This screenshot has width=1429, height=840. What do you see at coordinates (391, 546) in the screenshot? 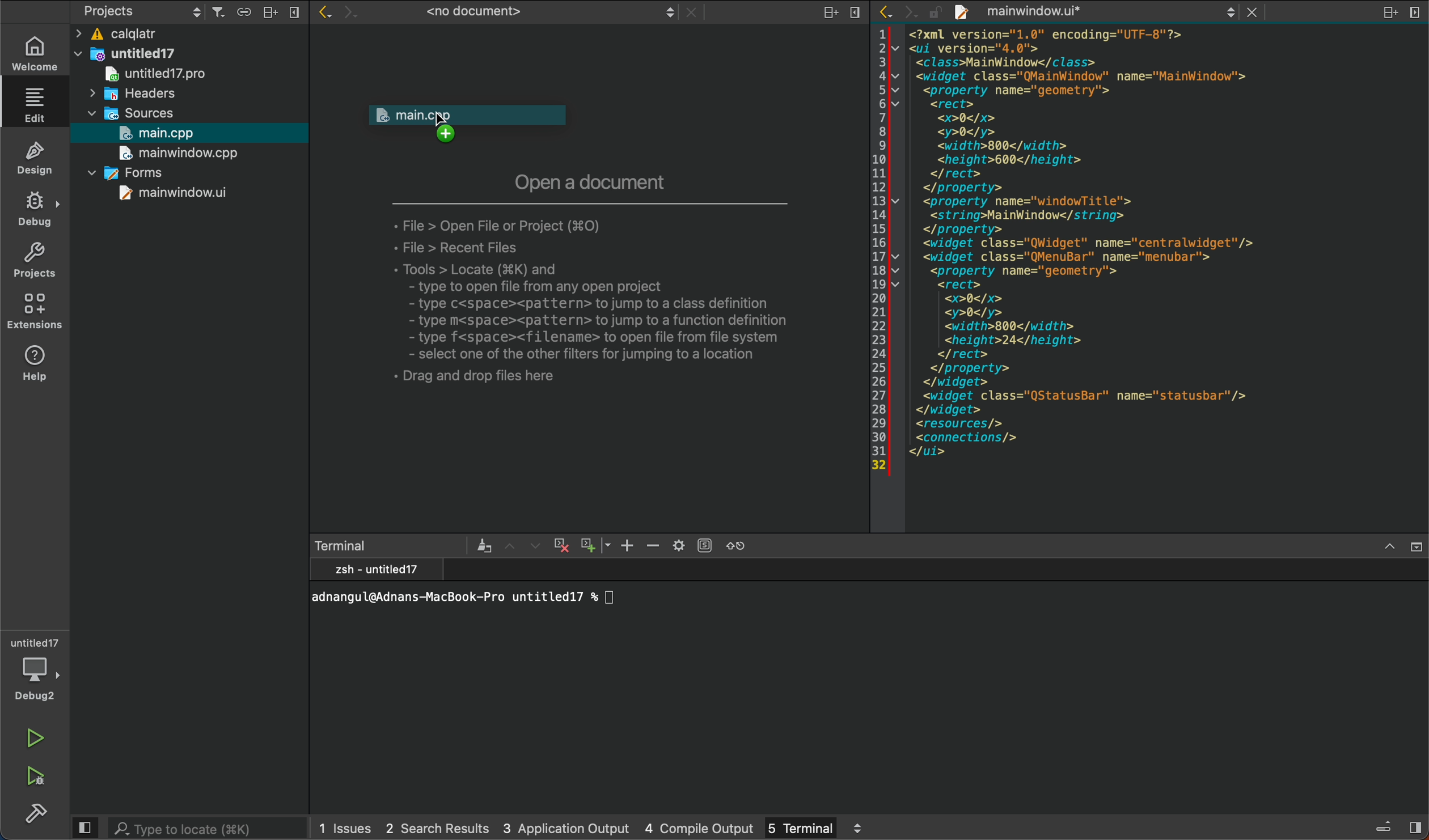
I see `terminal` at bounding box center [391, 546].